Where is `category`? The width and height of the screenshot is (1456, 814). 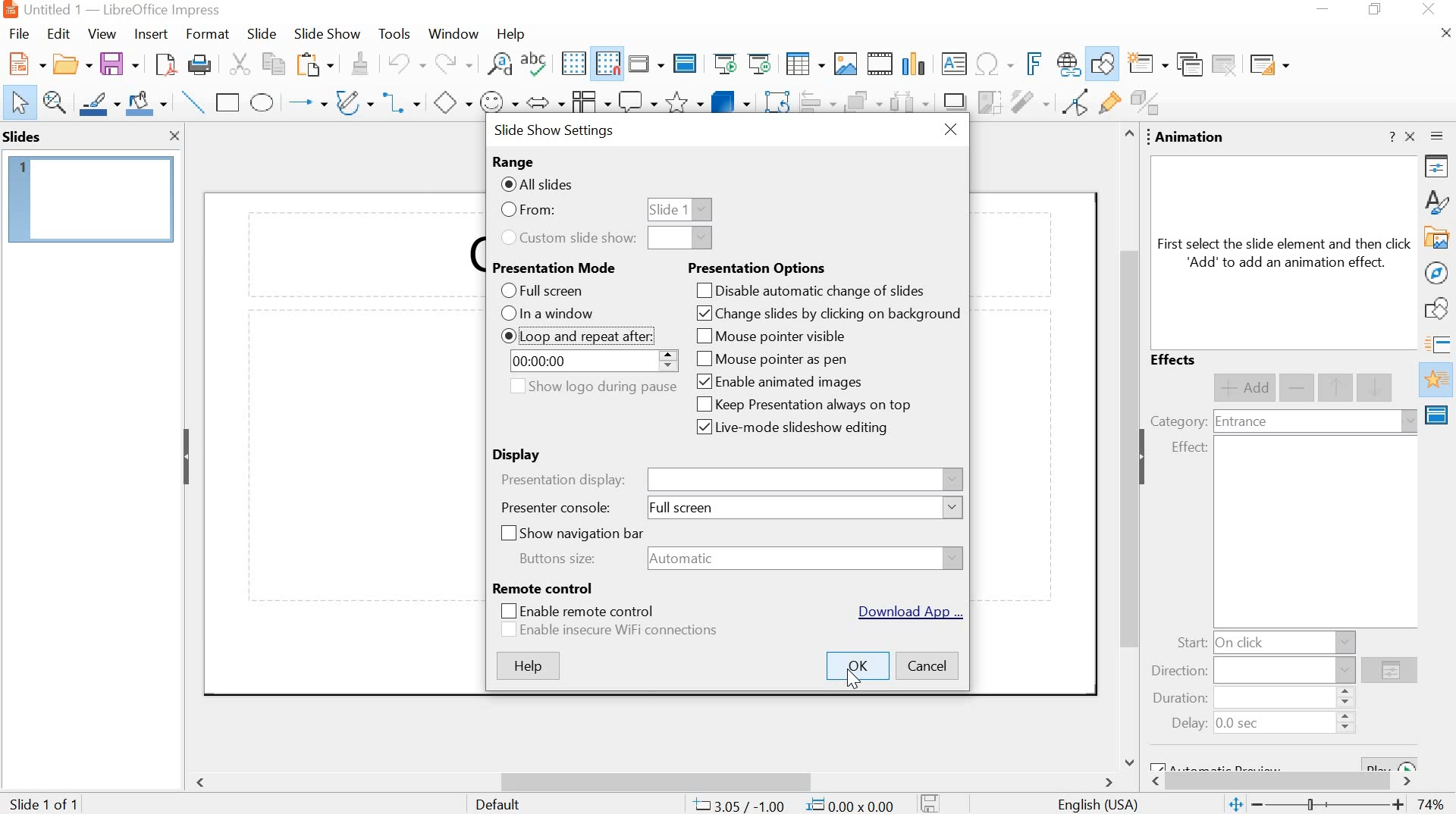 category is located at coordinates (1178, 421).